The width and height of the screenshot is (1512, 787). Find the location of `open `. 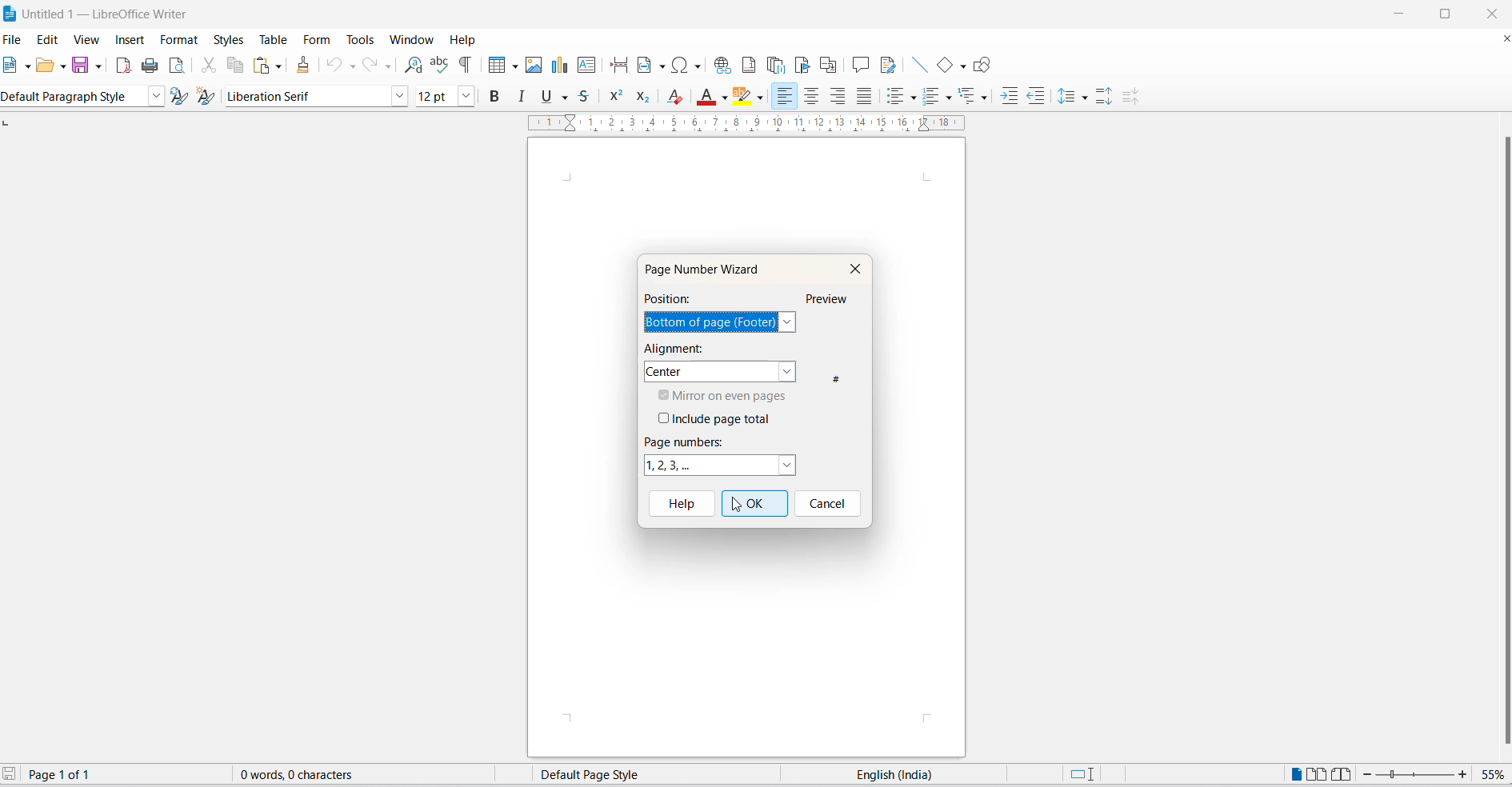

open  is located at coordinates (44, 68).